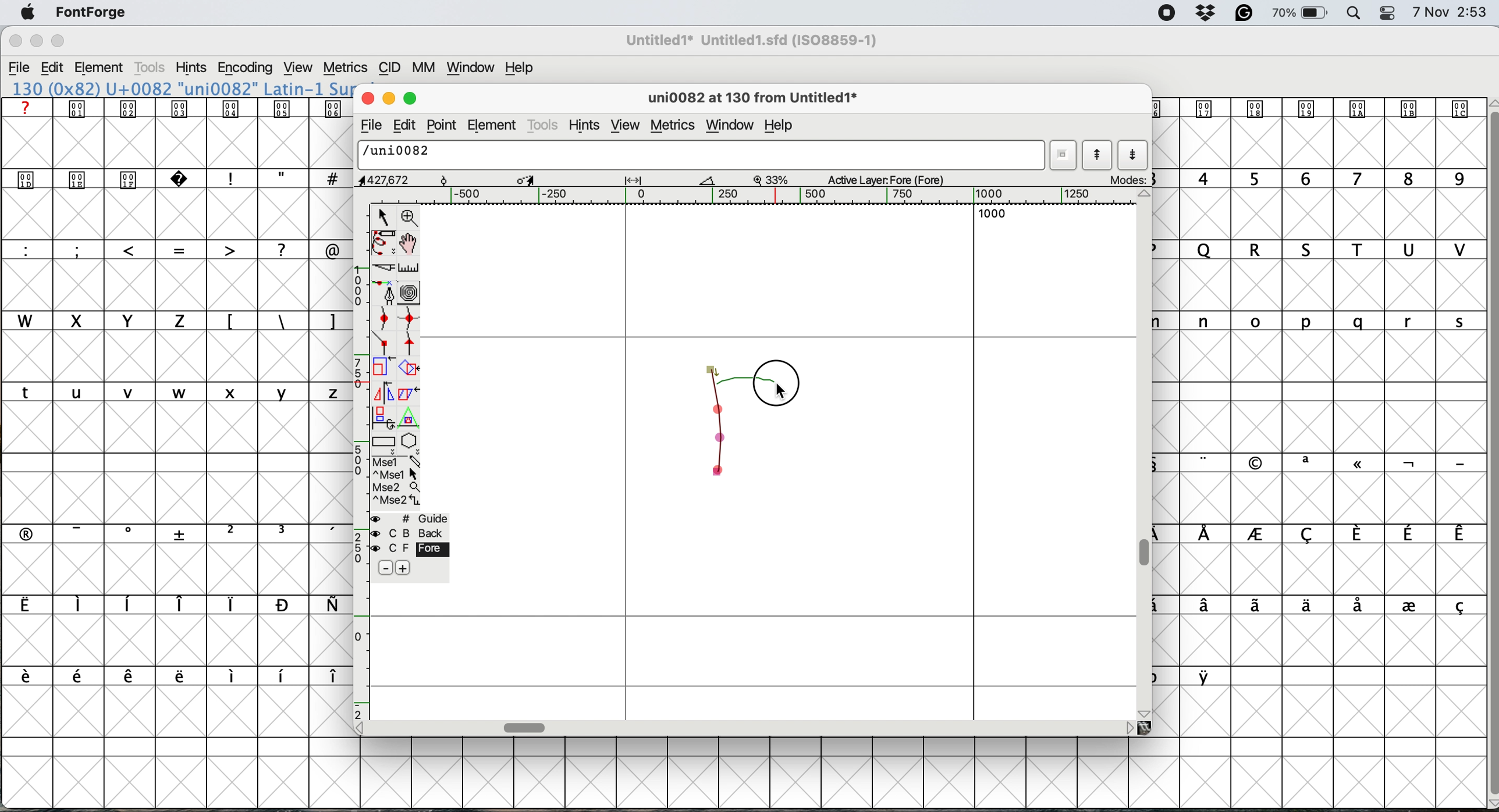 The width and height of the screenshot is (1499, 812). I want to click on window, so click(730, 123).